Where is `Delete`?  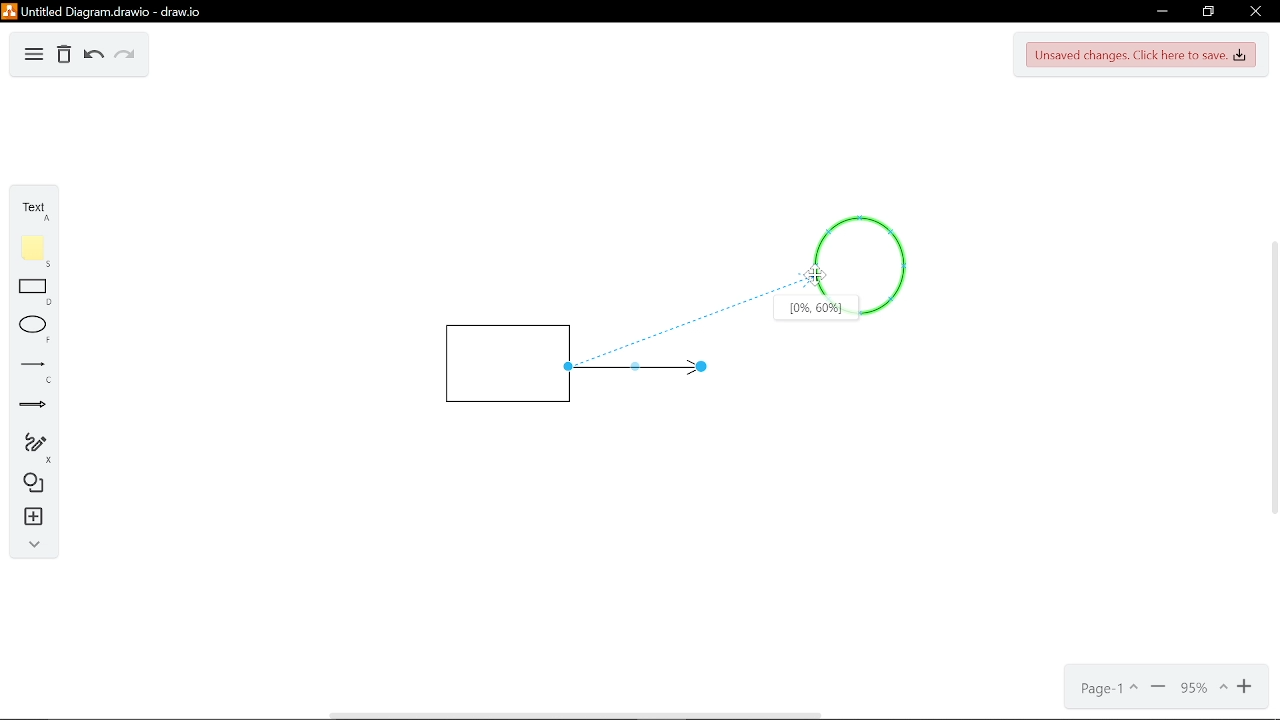 Delete is located at coordinates (64, 56).